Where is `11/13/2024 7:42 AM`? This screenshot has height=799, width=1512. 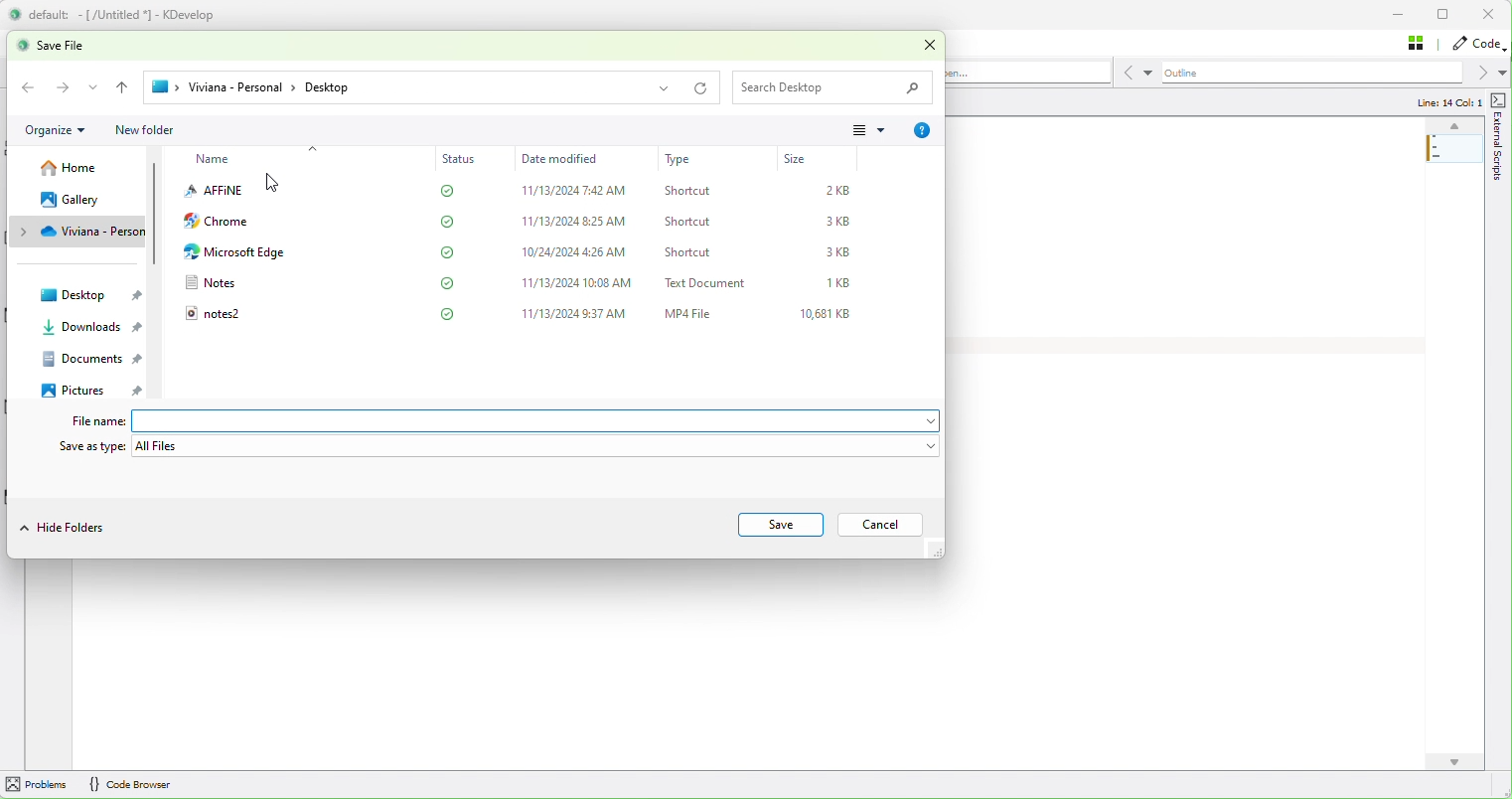 11/13/2024 7:42 AM is located at coordinates (576, 191).